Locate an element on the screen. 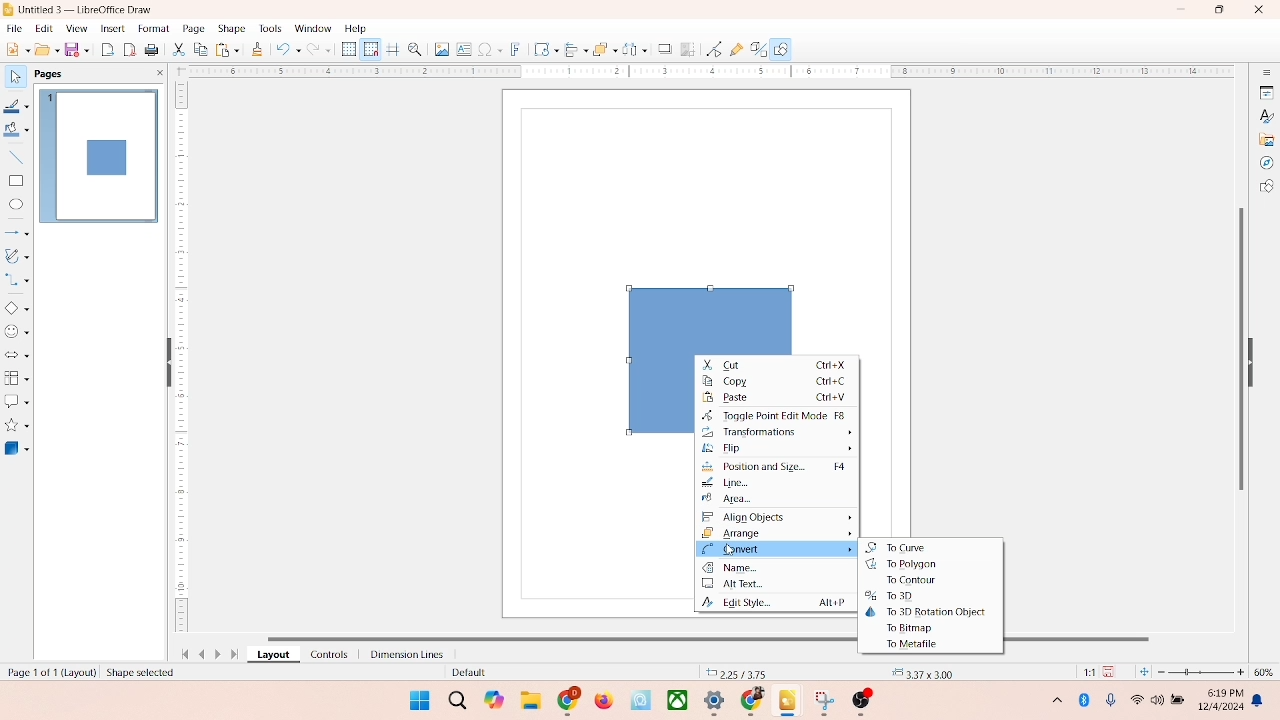  logo is located at coordinates (9, 9).